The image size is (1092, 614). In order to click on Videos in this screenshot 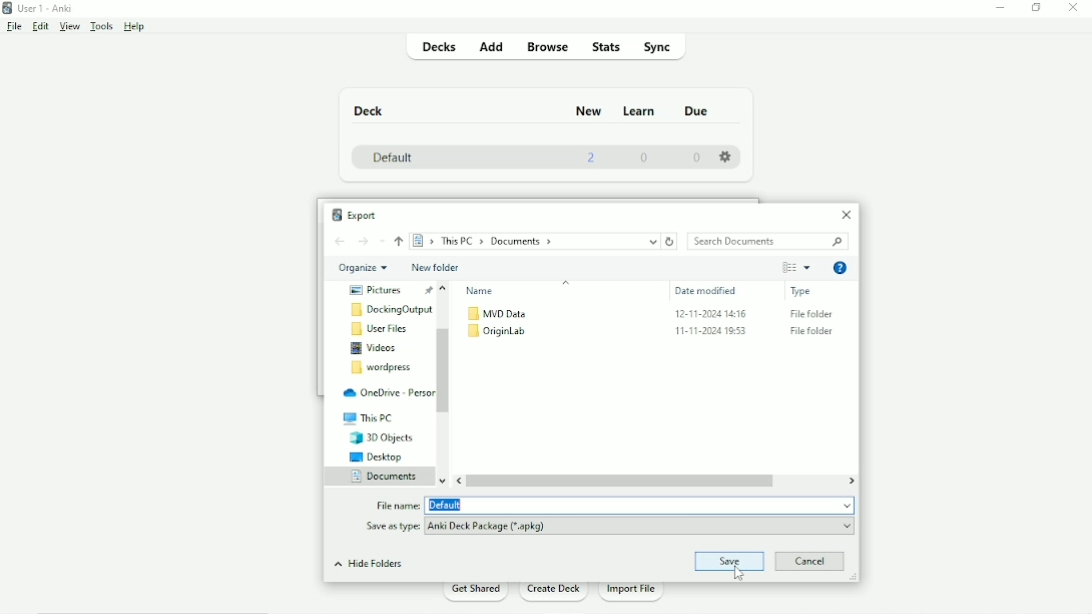, I will do `click(377, 348)`.